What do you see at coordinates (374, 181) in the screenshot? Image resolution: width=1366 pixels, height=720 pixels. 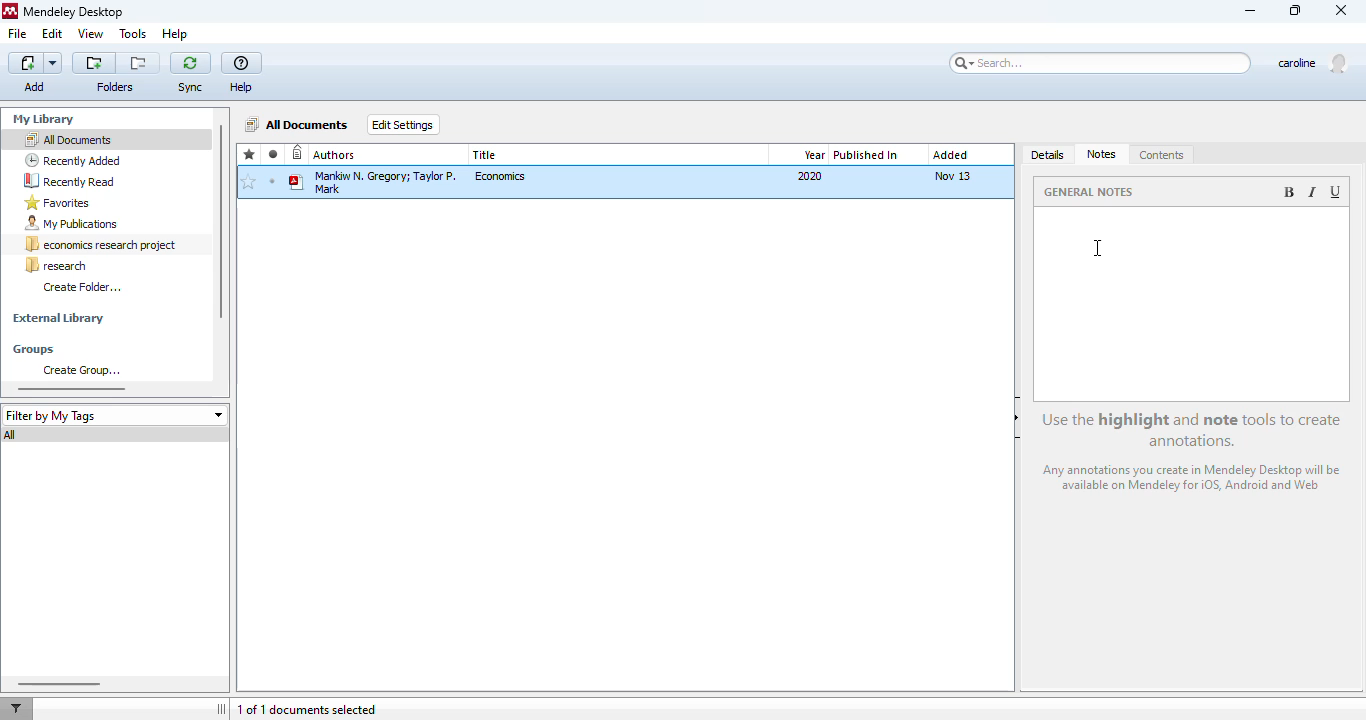 I see `Mankiw N. Gregor; Taylor P. Mark` at bounding box center [374, 181].